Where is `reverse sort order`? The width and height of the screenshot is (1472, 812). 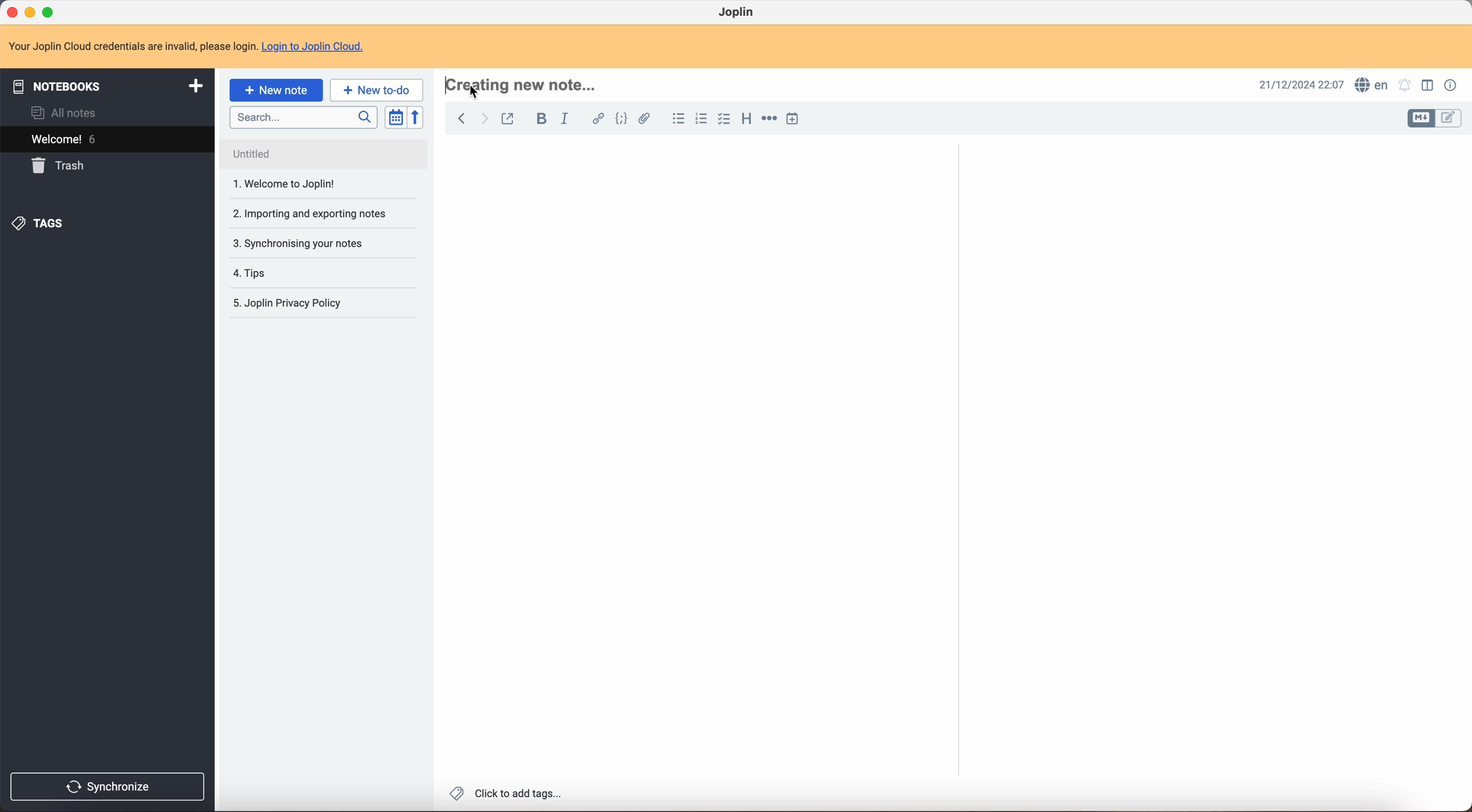
reverse sort order is located at coordinates (416, 118).